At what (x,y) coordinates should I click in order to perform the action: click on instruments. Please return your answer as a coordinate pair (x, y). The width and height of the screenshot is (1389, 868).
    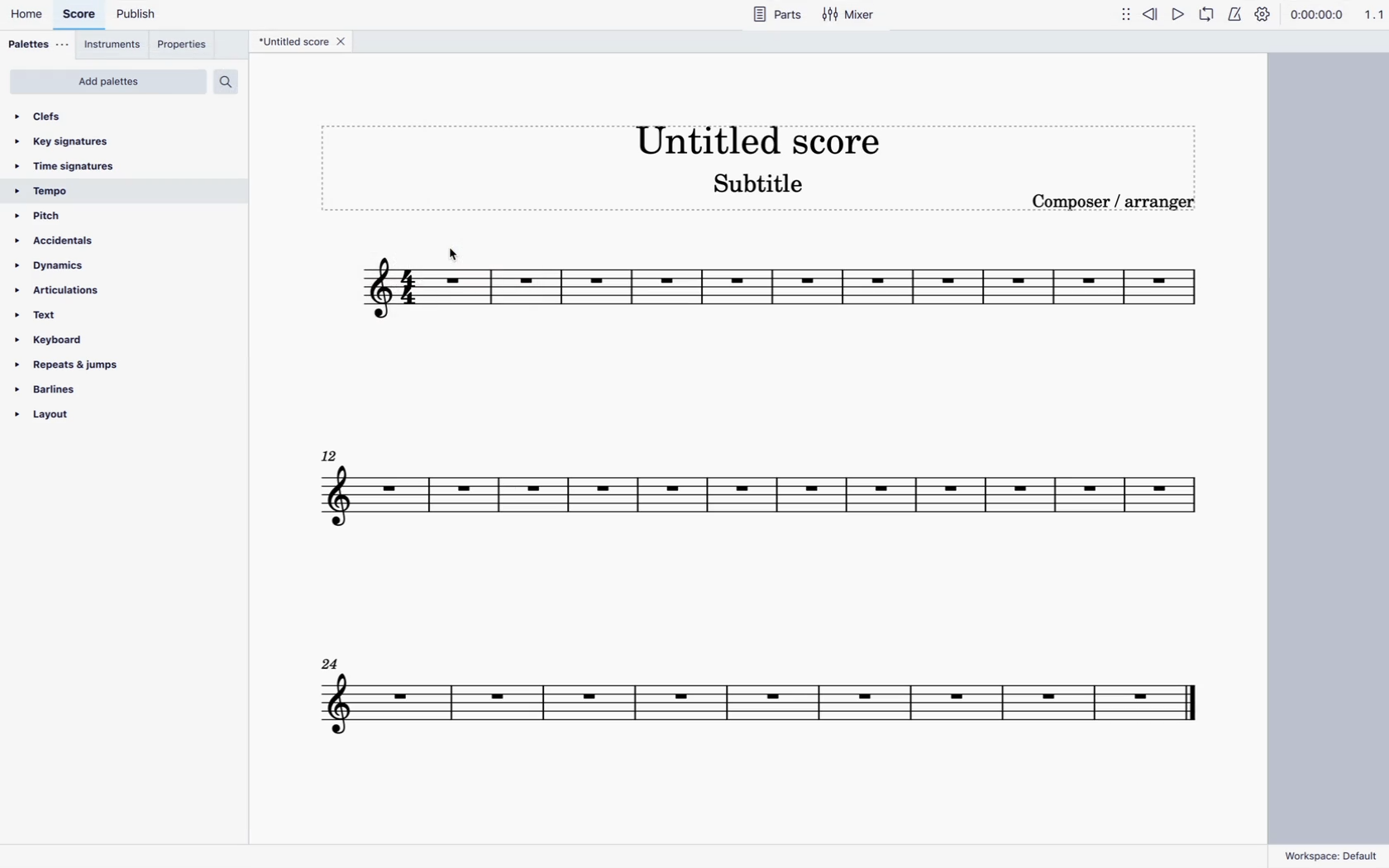
    Looking at the image, I should click on (116, 47).